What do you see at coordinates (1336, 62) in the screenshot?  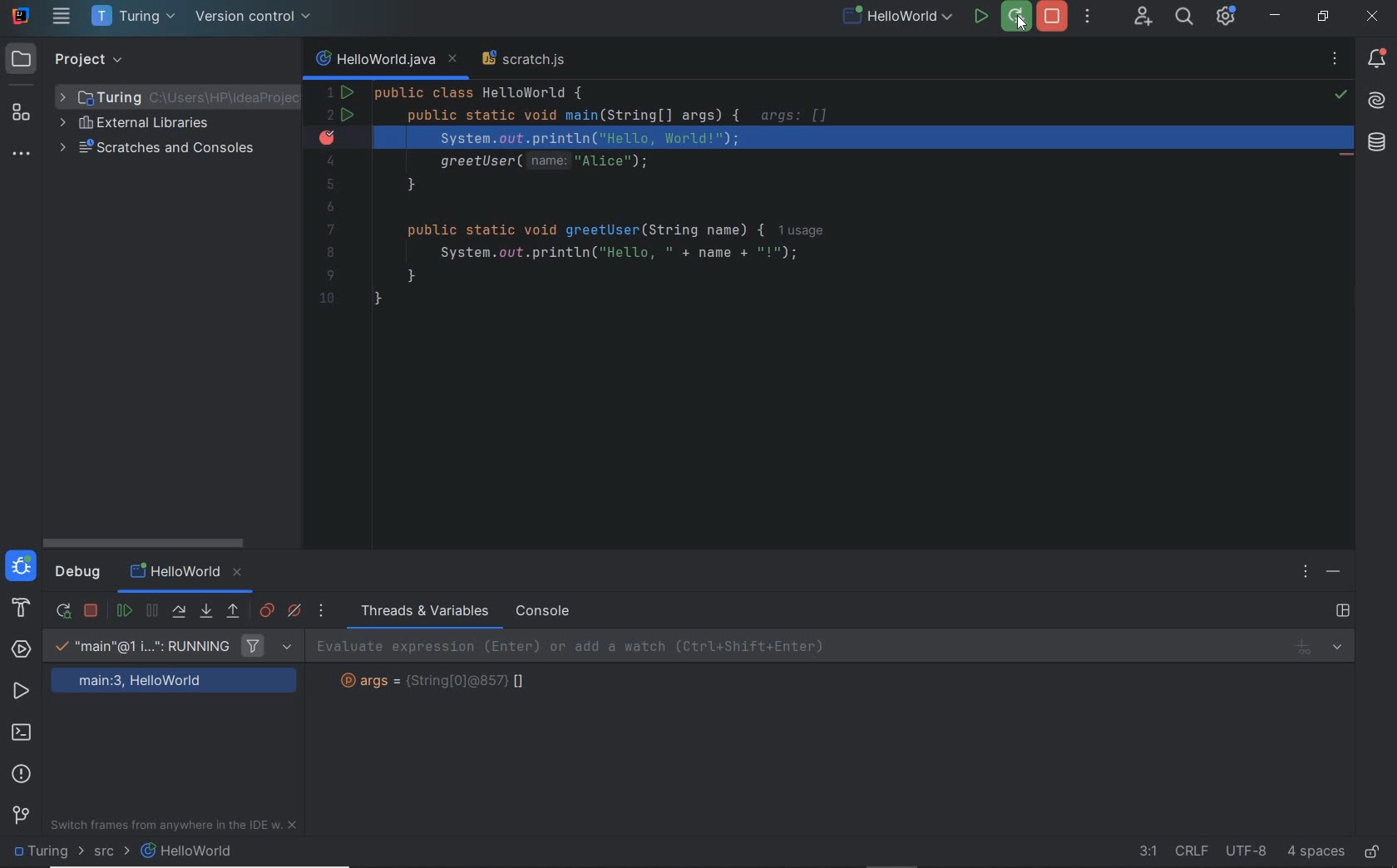 I see `recent files, tab actions` at bounding box center [1336, 62].